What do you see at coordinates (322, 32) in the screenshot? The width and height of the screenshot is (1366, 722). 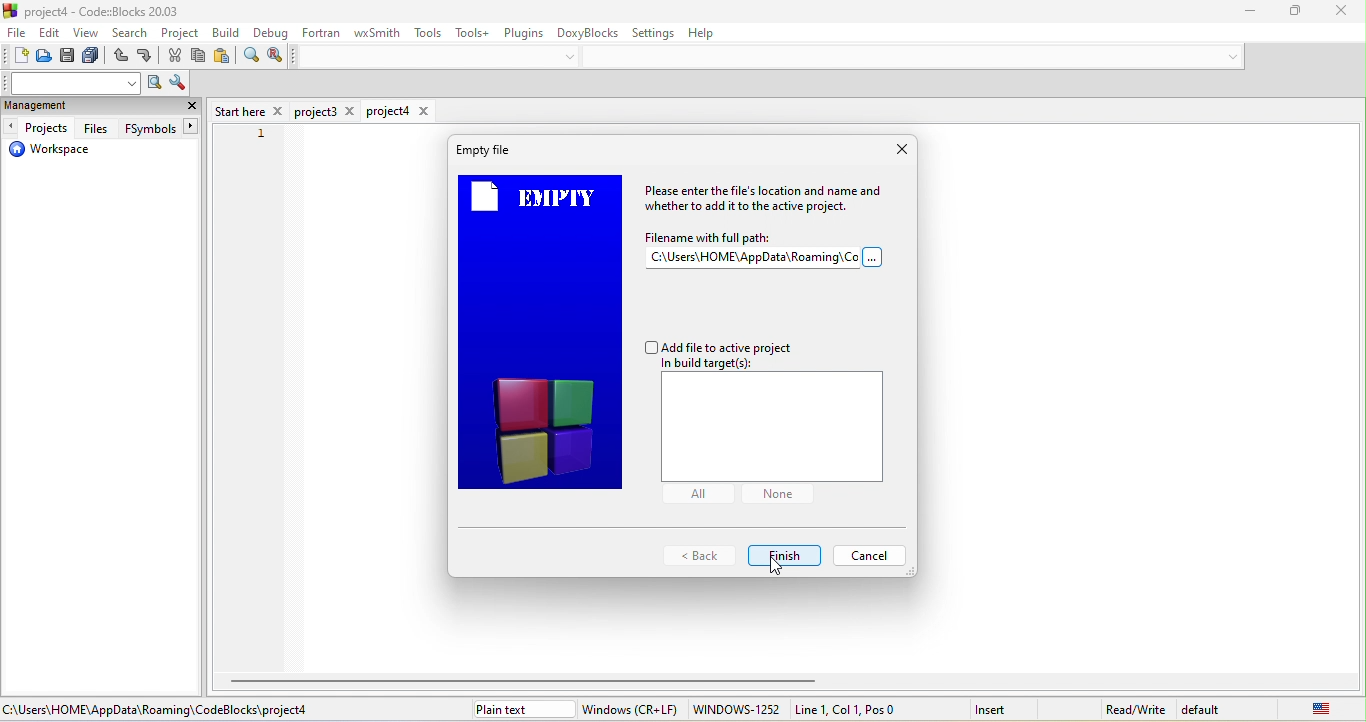 I see `fortran` at bounding box center [322, 32].